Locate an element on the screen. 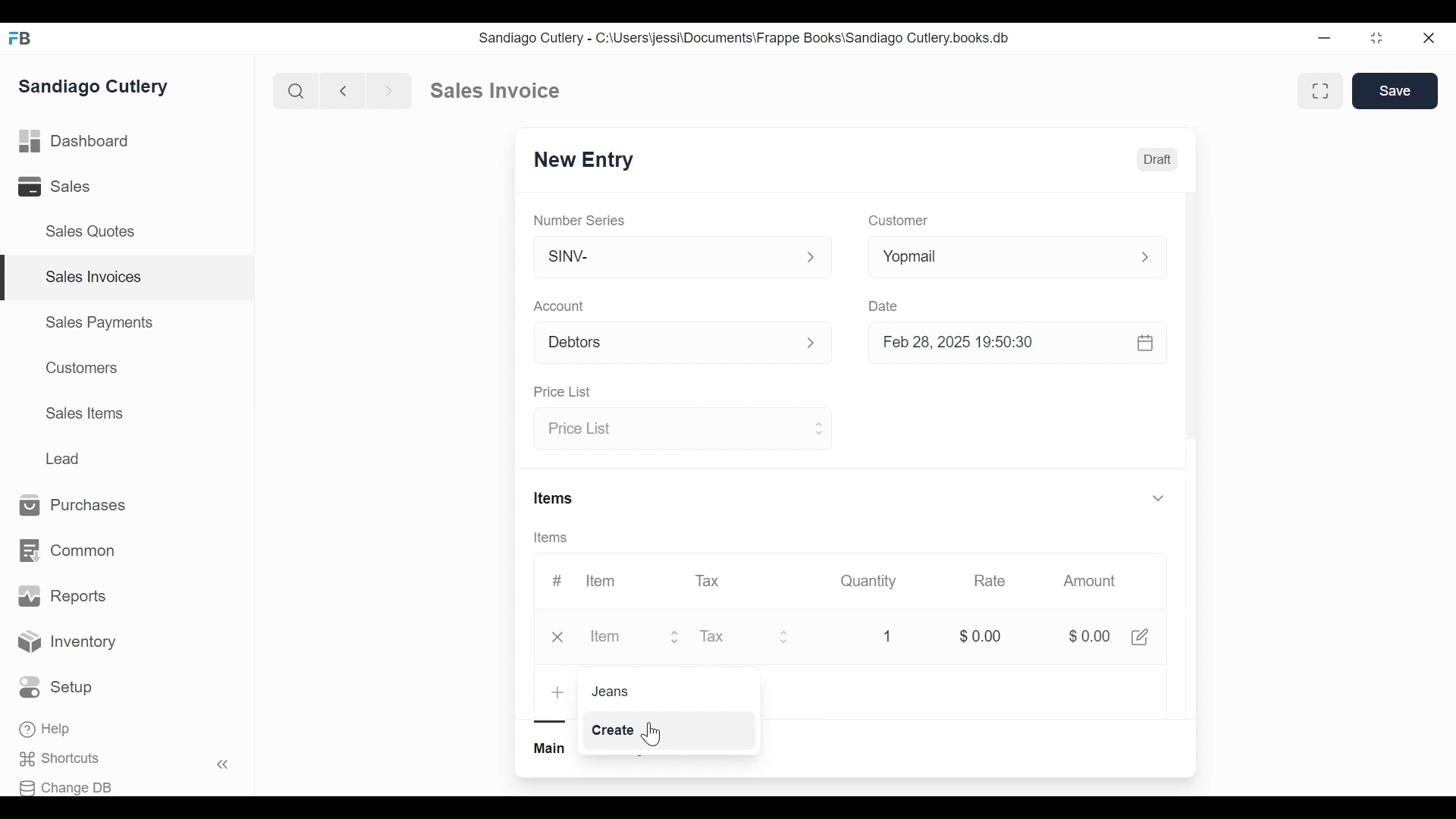 The height and width of the screenshot is (819, 1456). 1  is located at coordinates (887, 635).